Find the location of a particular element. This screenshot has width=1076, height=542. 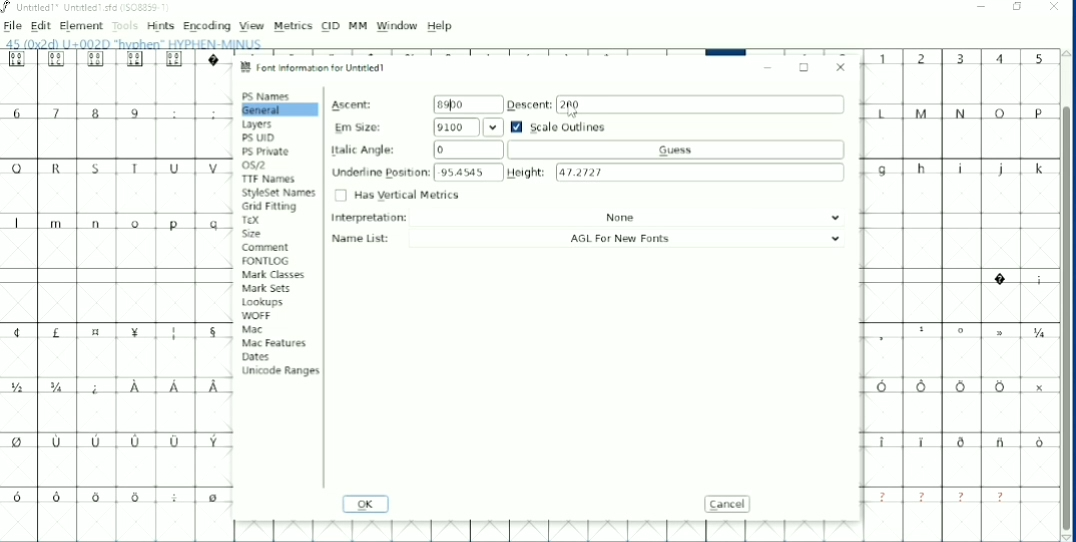

Size is located at coordinates (255, 233).